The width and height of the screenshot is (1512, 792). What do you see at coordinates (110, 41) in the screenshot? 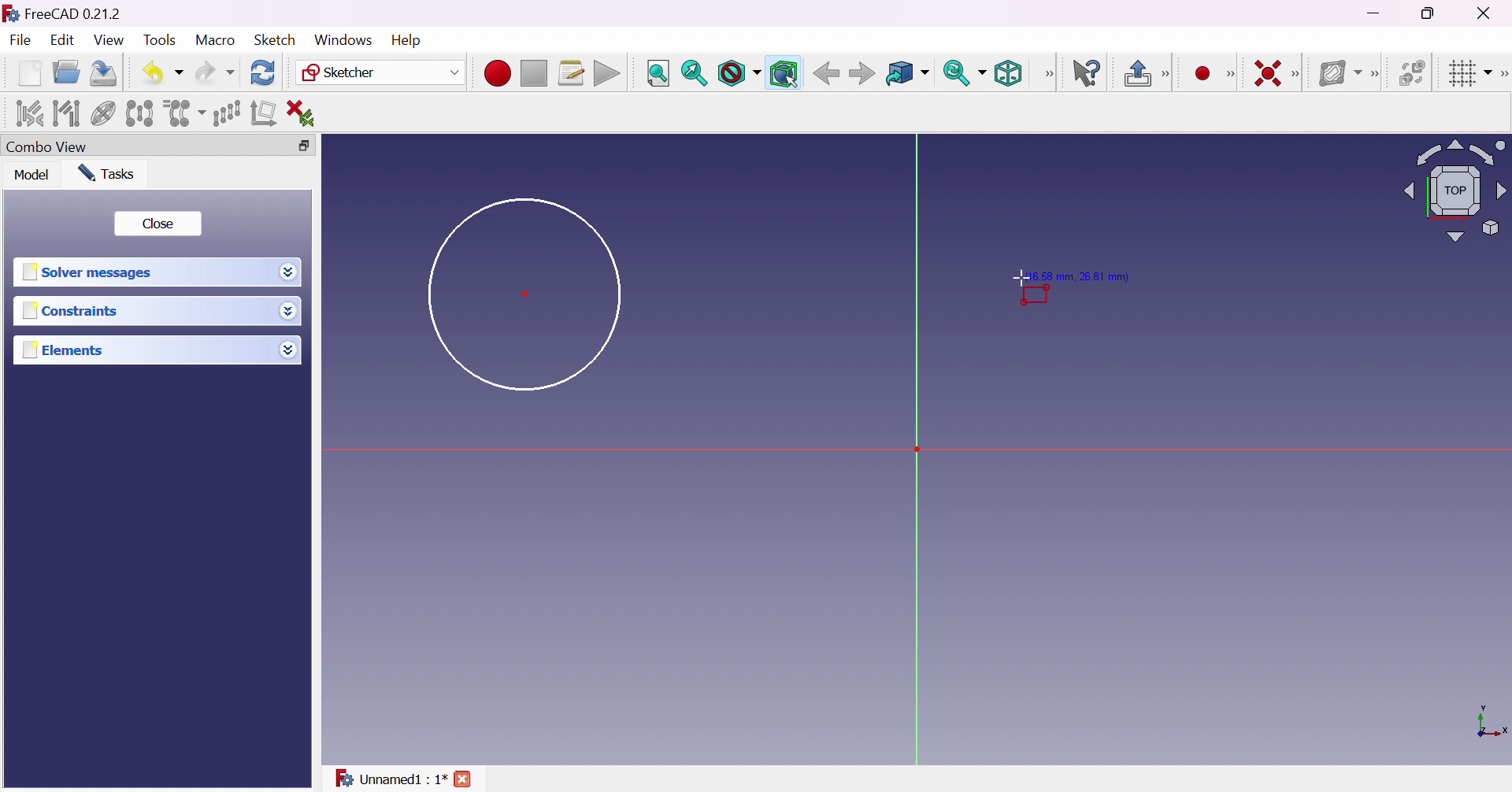
I see `View` at bounding box center [110, 41].